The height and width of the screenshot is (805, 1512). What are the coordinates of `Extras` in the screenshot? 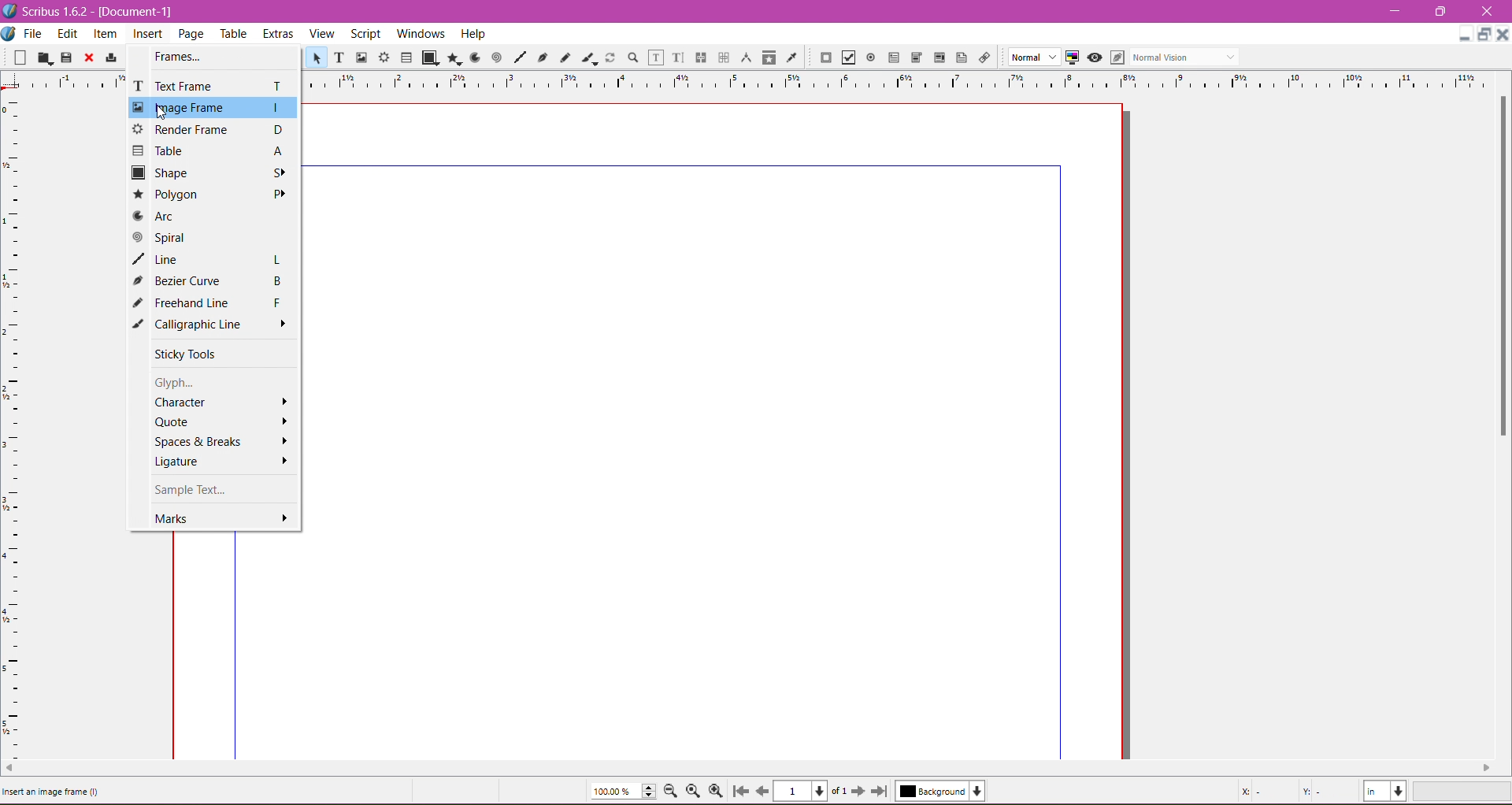 It's located at (280, 34).